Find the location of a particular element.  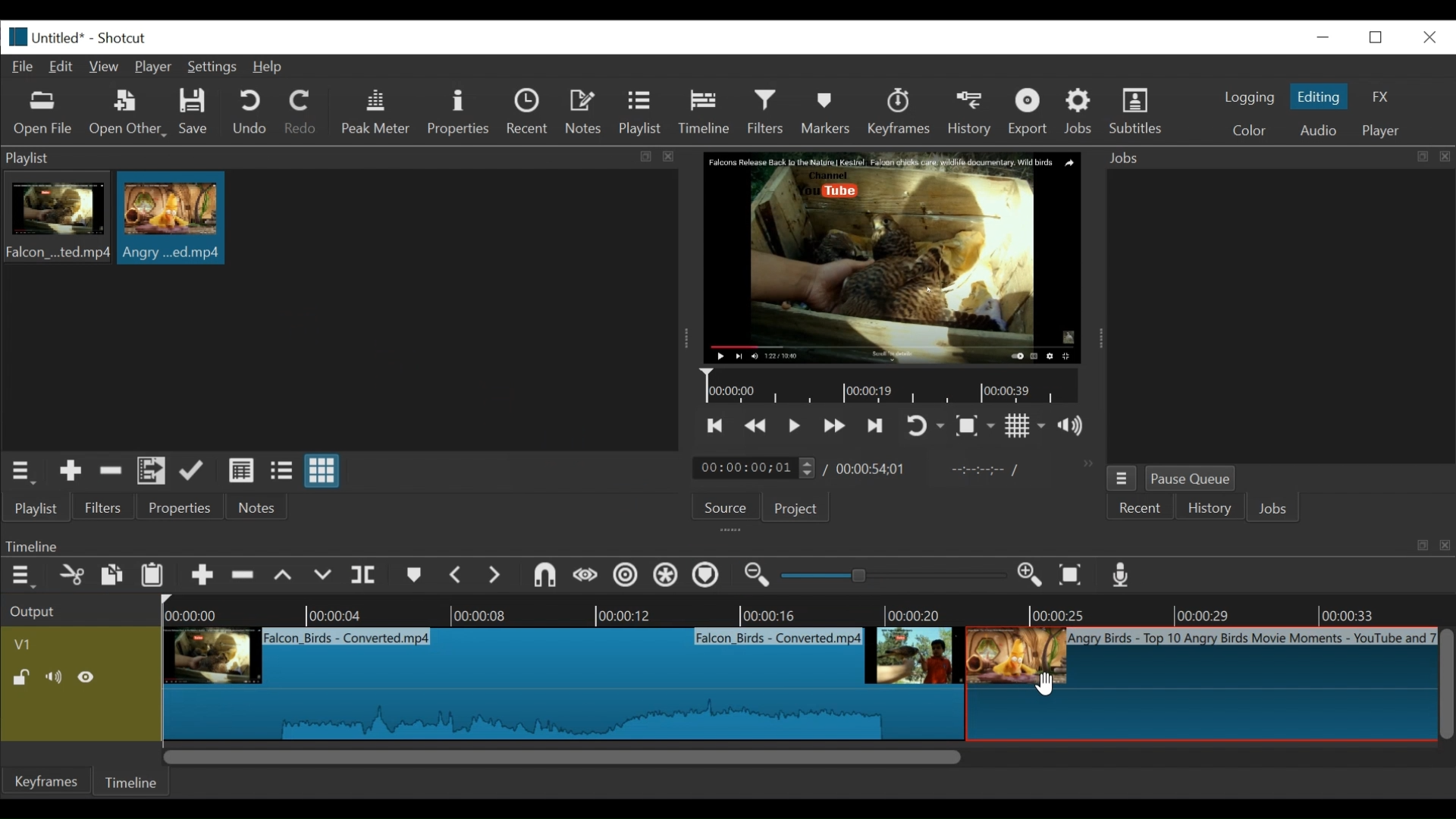

scrub while dragging is located at coordinates (586, 576).